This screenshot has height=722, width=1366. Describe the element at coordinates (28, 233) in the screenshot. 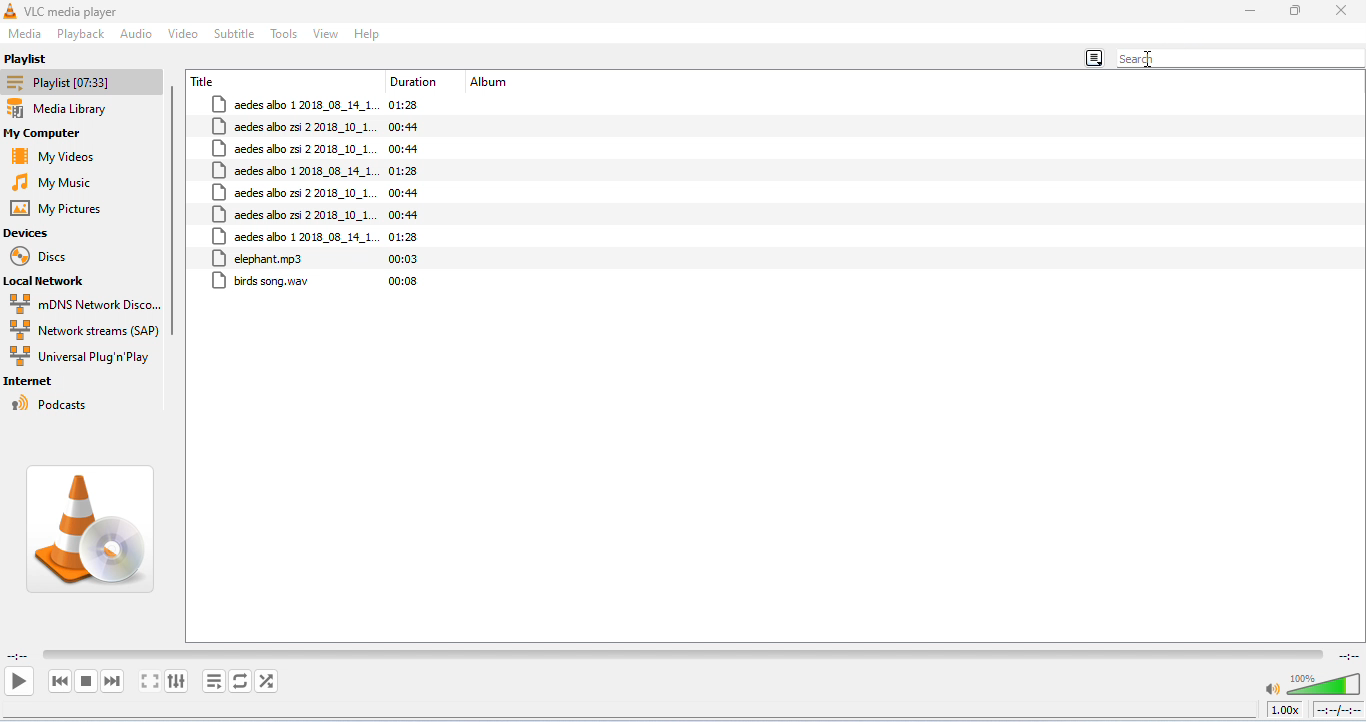

I see `devices` at that location.